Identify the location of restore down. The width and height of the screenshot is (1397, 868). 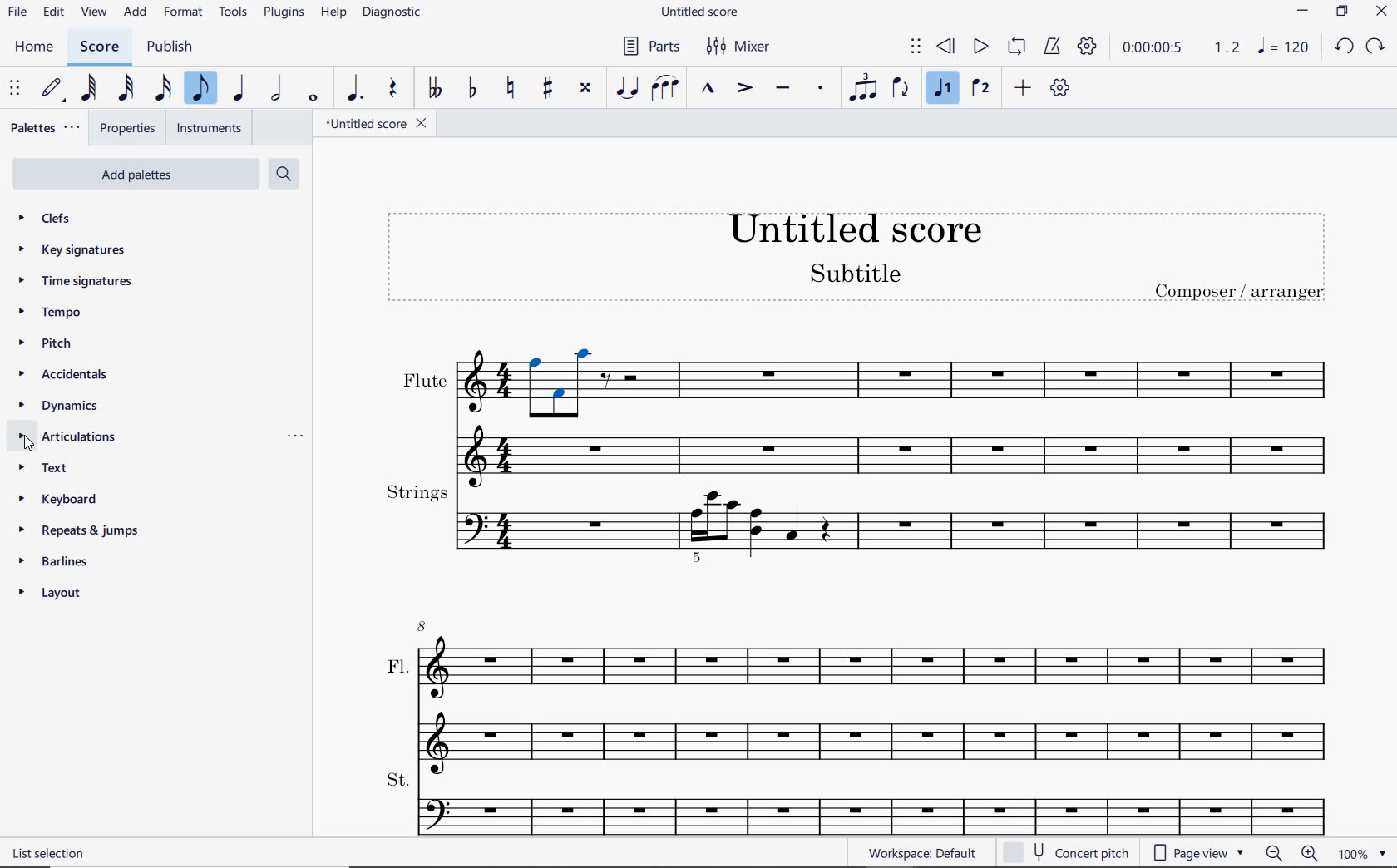
(1342, 11).